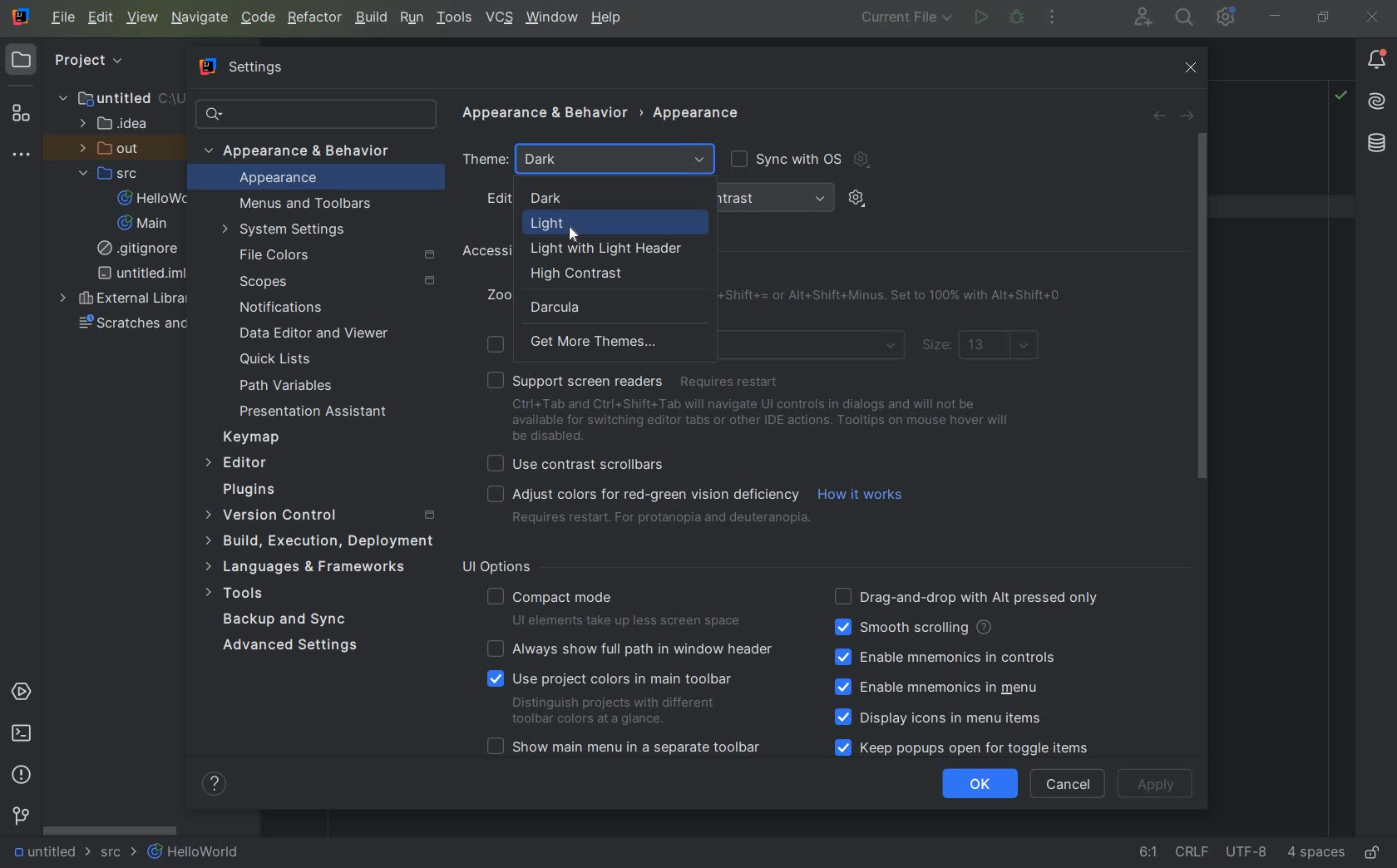 The width and height of the screenshot is (1397, 868). Describe the element at coordinates (145, 224) in the screenshot. I see `MAIN` at that location.